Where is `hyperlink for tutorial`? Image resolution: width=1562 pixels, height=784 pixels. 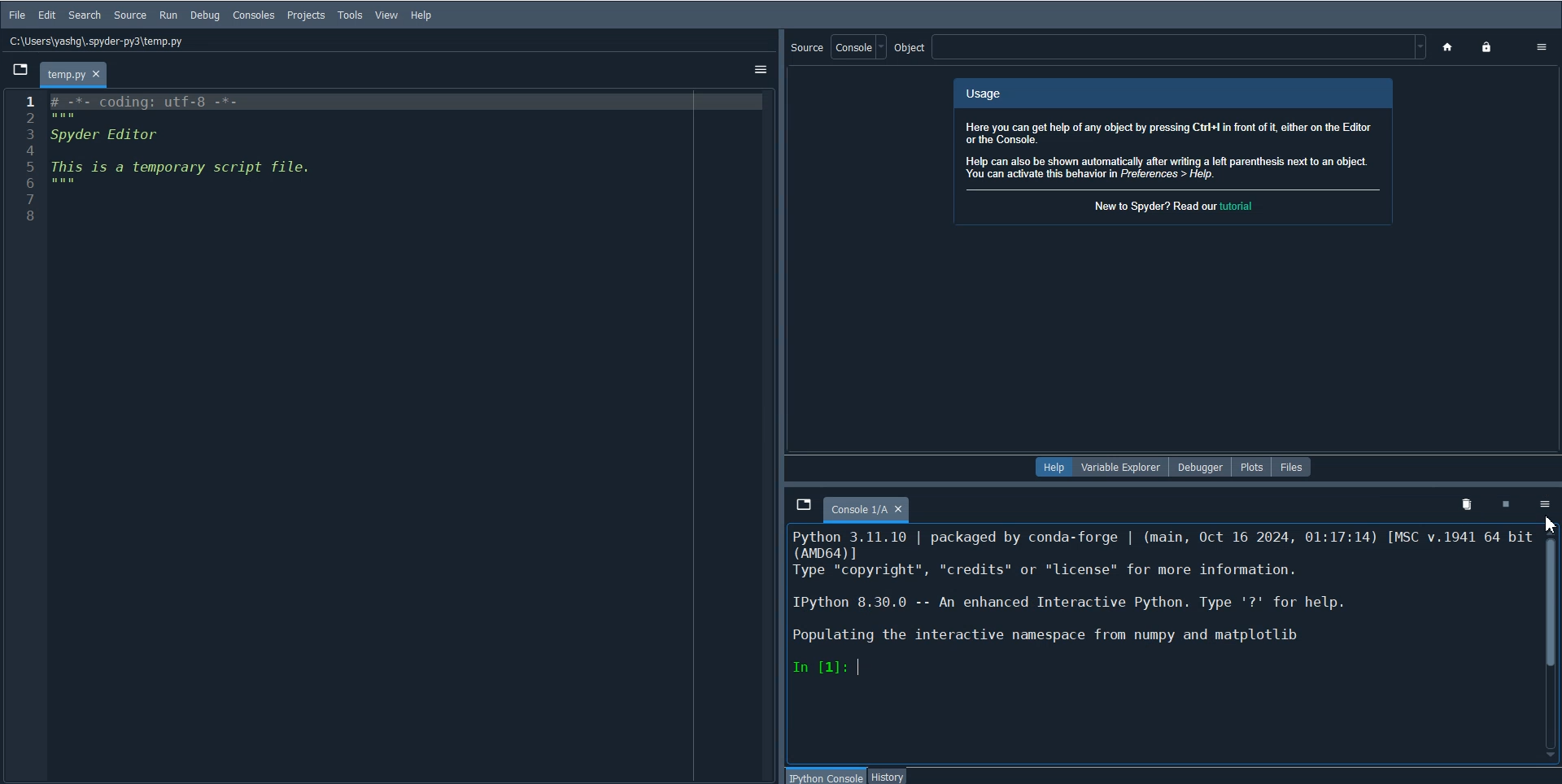
hyperlink for tutorial is located at coordinates (1246, 205).